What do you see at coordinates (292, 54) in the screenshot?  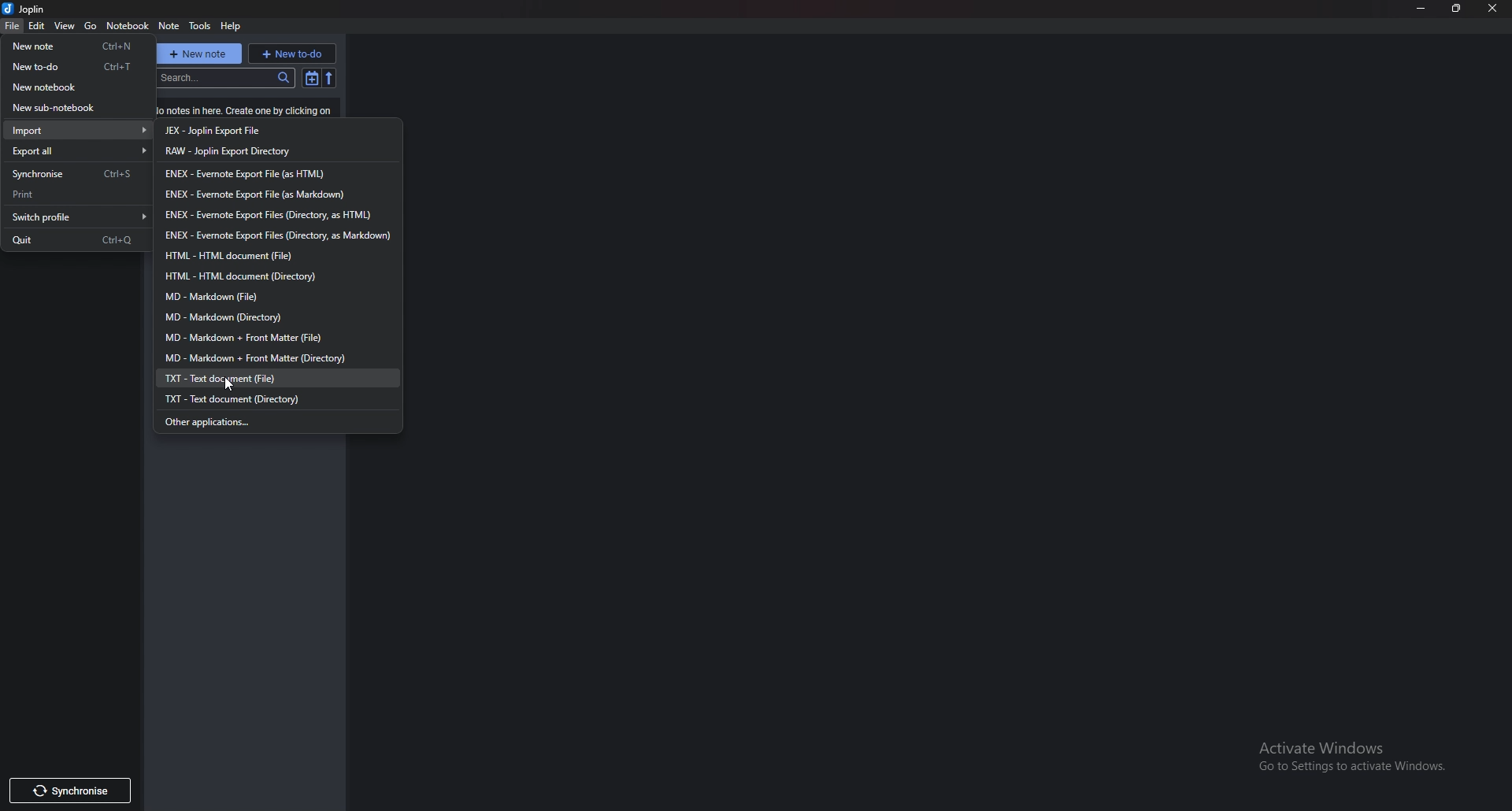 I see `new to do` at bounding box center [292, 54].